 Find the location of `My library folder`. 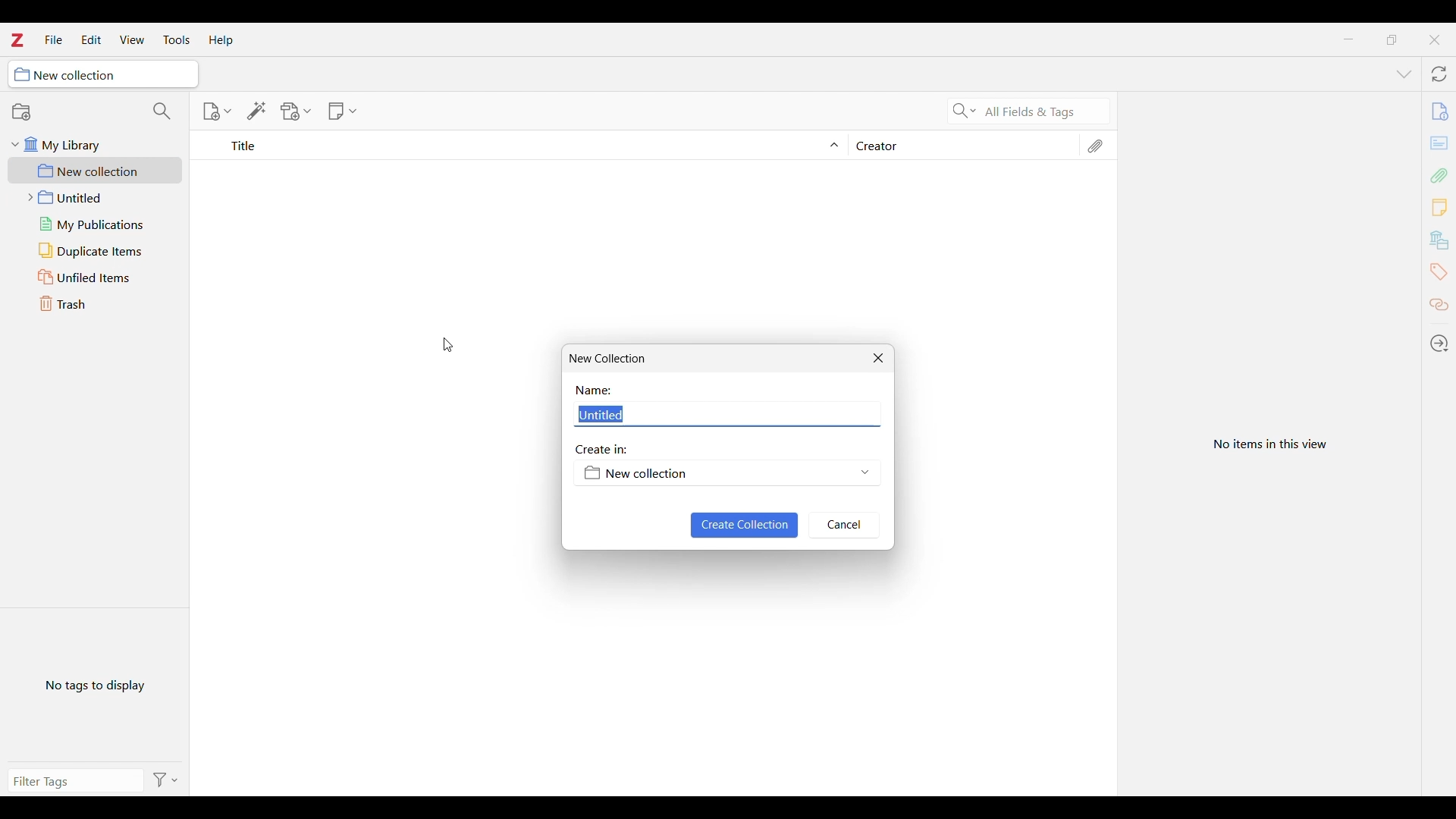

My library folder is located at coordinates (96, 145).